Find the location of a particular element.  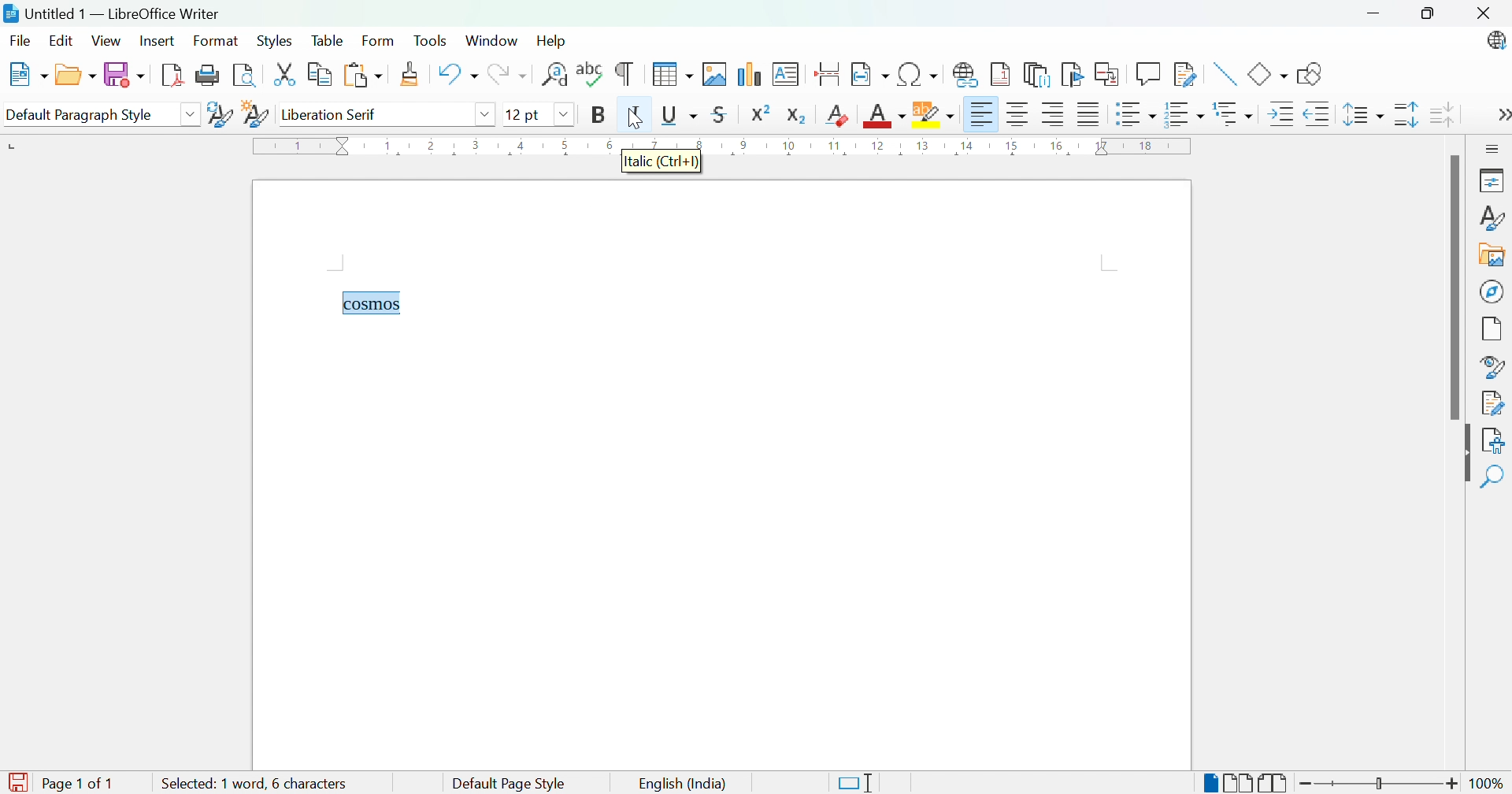

Insert special characters is located at coordinates (920, 74).